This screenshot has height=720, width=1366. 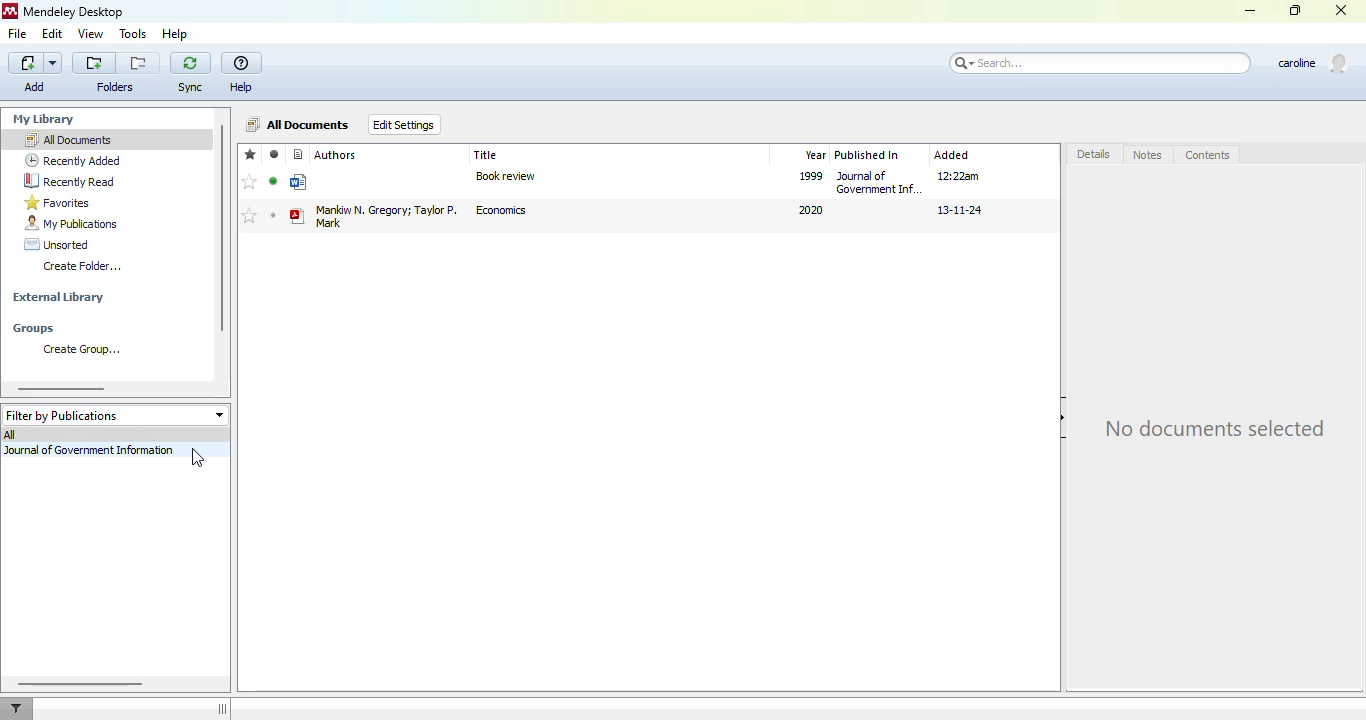 What do you see at coordinates (814, 155) in the screenshot?
I see `year` at bounding box center [814, 155].